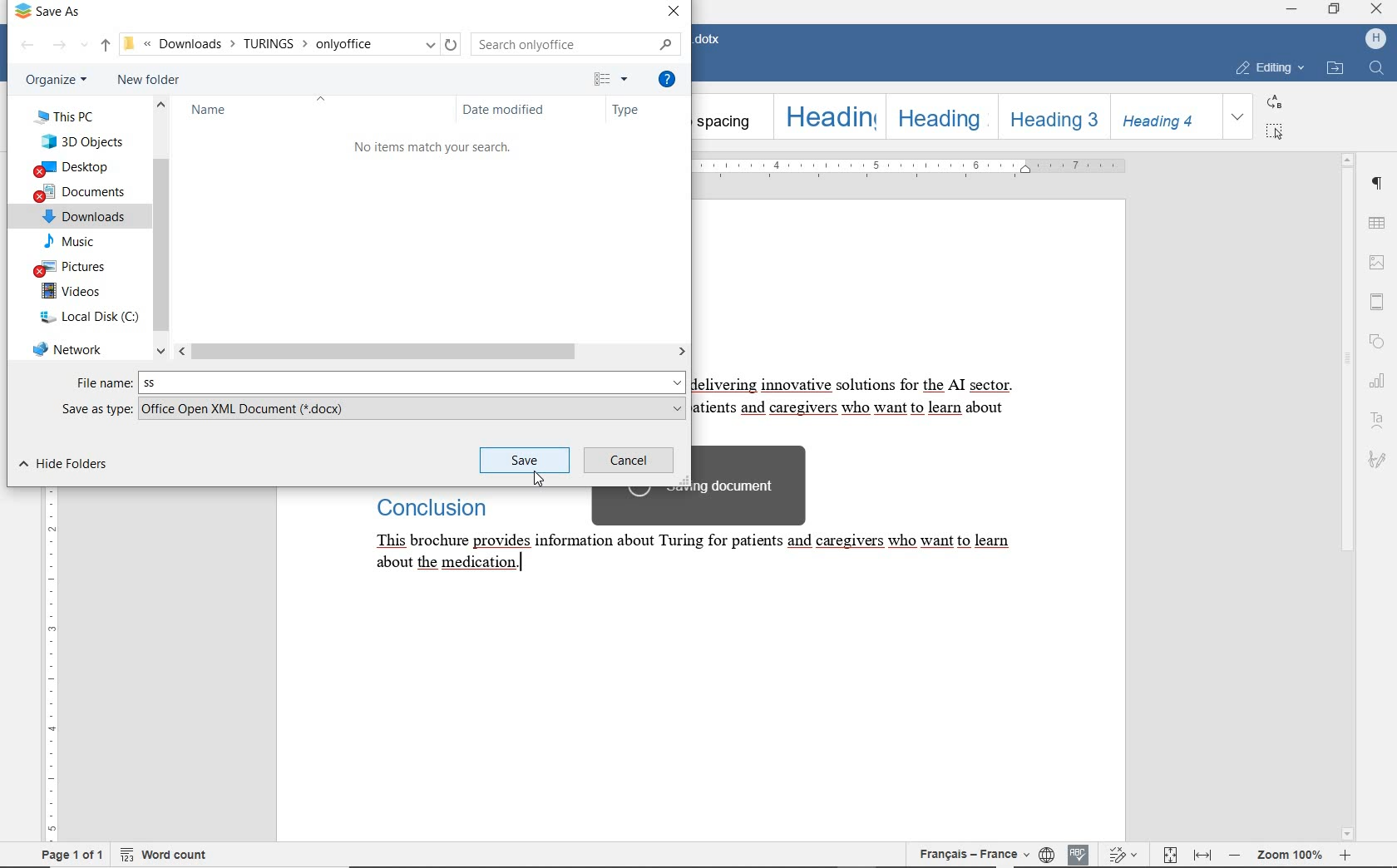 The image size is (1397, 868). What do you see at coordinates (1170, 854) in the screenshot?
I see `FIT TO PAGE` at bounding box center [1170, 854].